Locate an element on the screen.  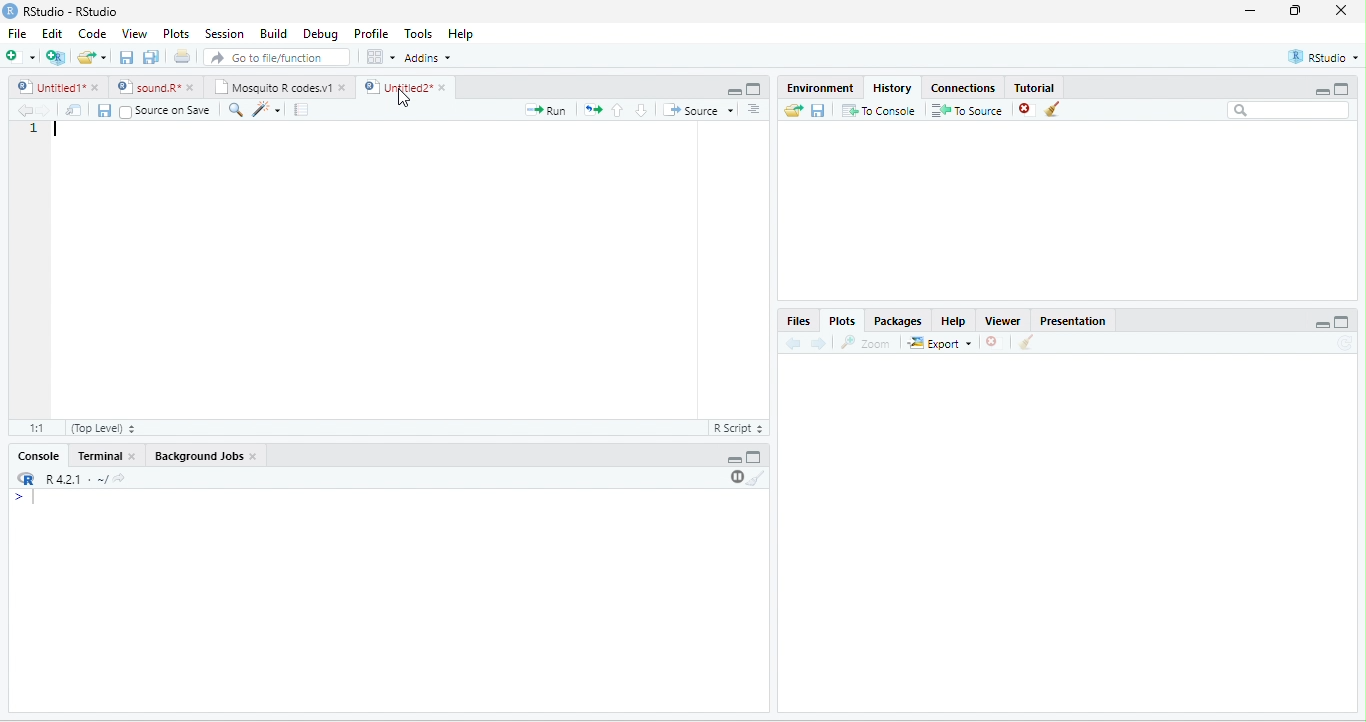
start typing is located at coordinates (28, 498).